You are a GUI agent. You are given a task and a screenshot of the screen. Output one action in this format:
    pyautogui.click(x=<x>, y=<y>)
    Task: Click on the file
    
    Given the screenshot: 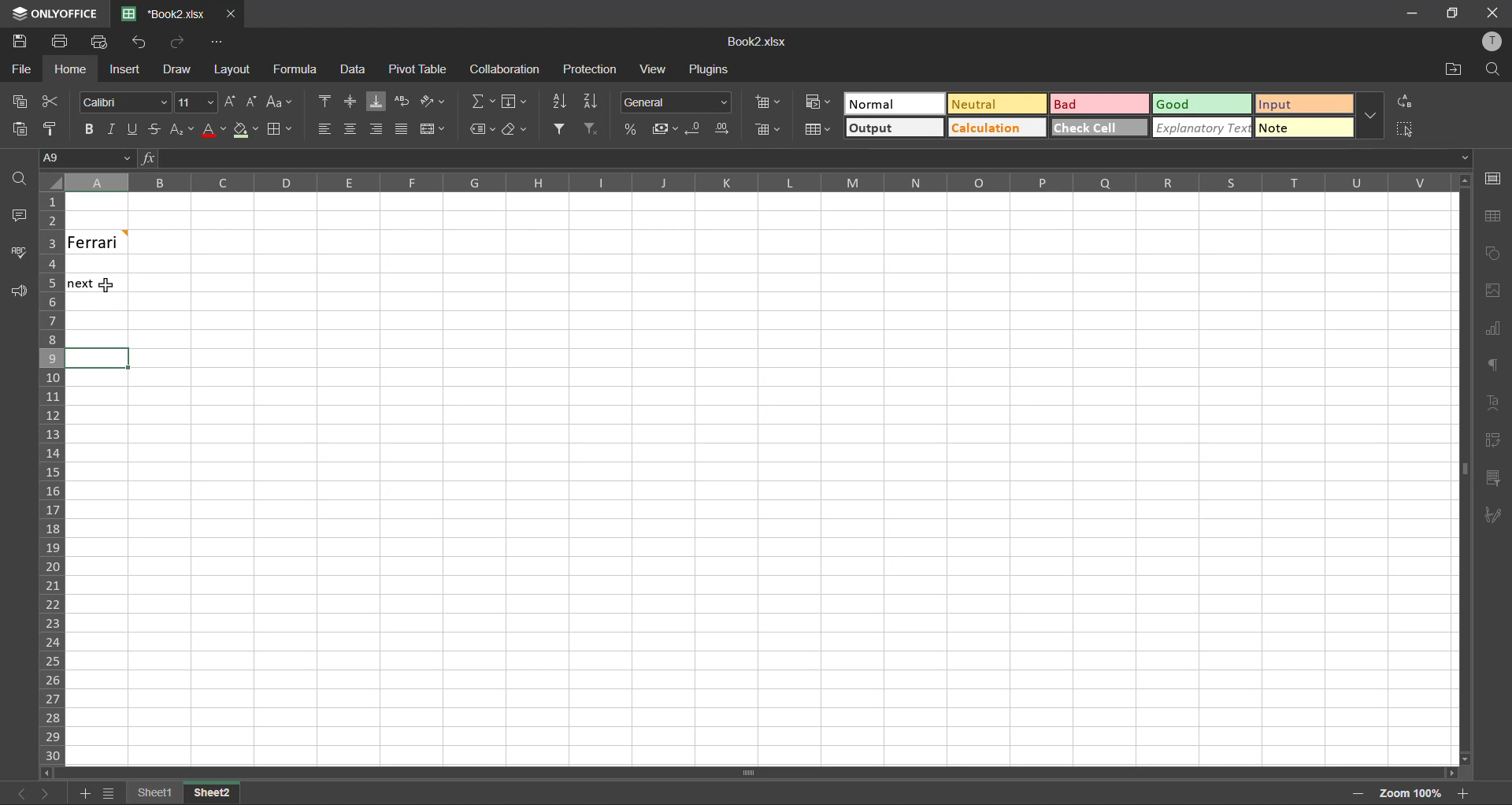 What is the action you would take?
    pyautogui.click(x=20, y=70)
    